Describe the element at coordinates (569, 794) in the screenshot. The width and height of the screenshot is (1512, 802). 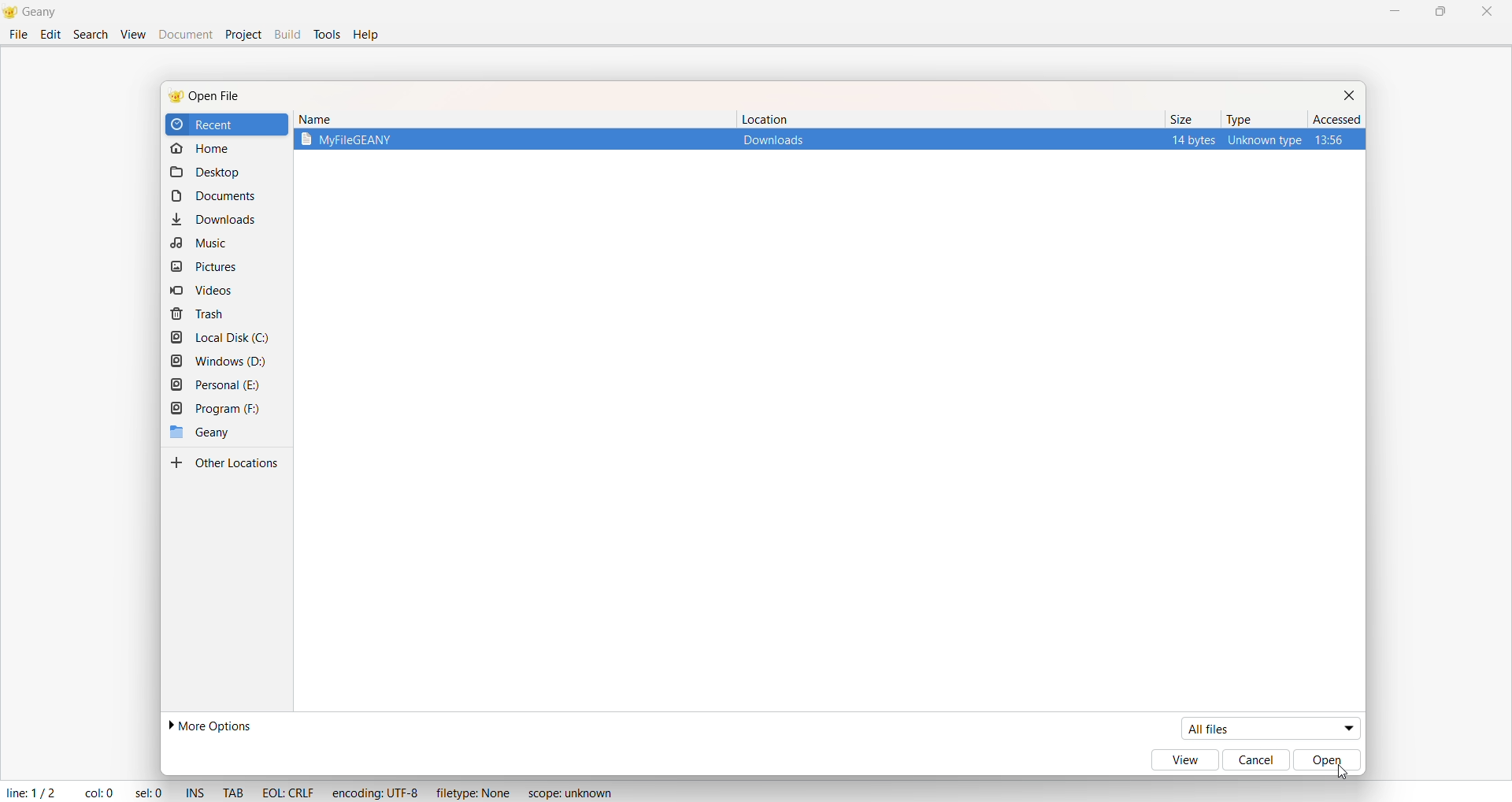
I see `Scope: unknown` at that location.